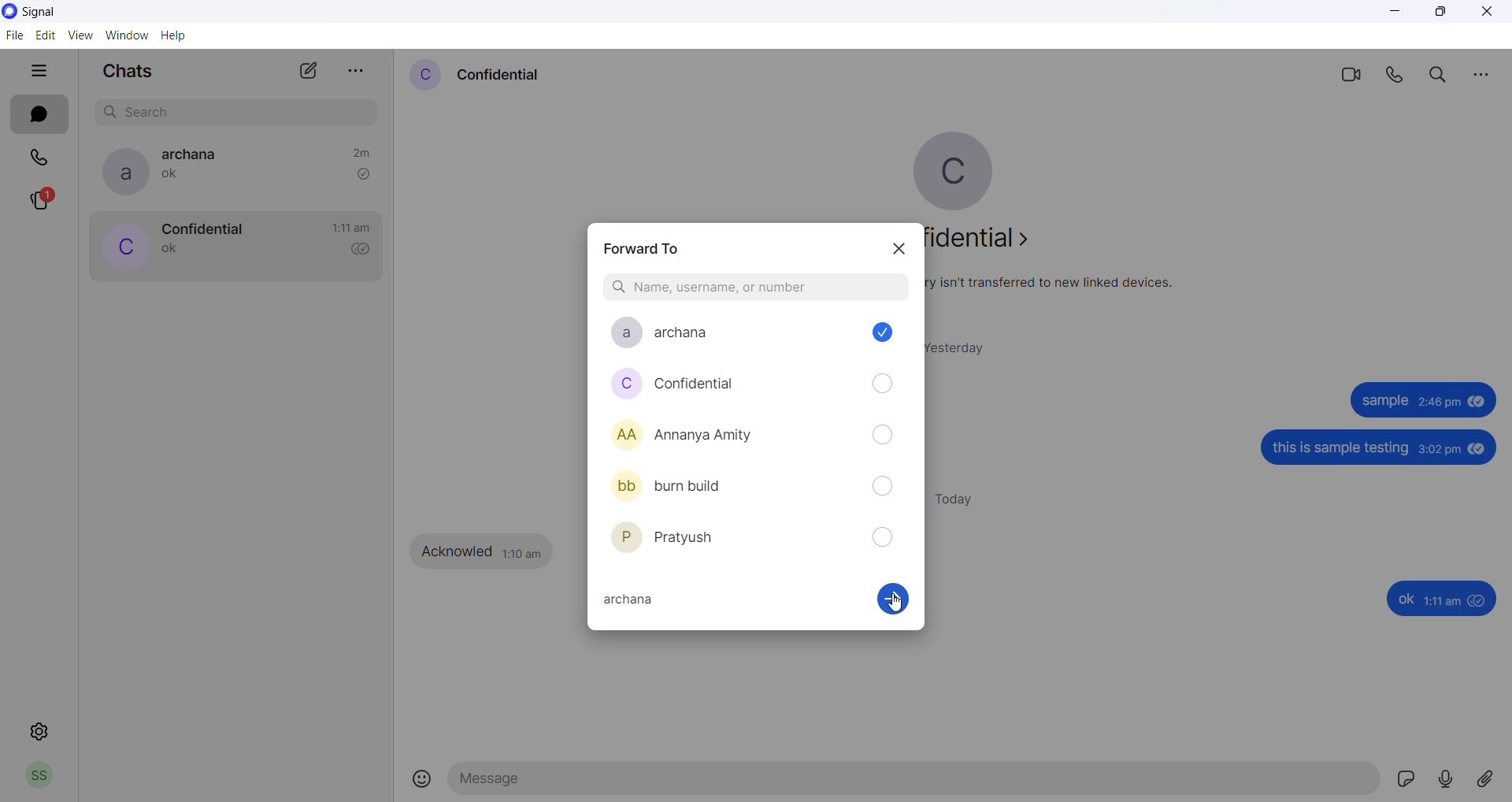 Image resolution: width=1512 pixels, height=802 pixels. What do you see at coordinates (1060, 284) in the screenshot?
I see `security related text` at bounding box center [1060, 284].